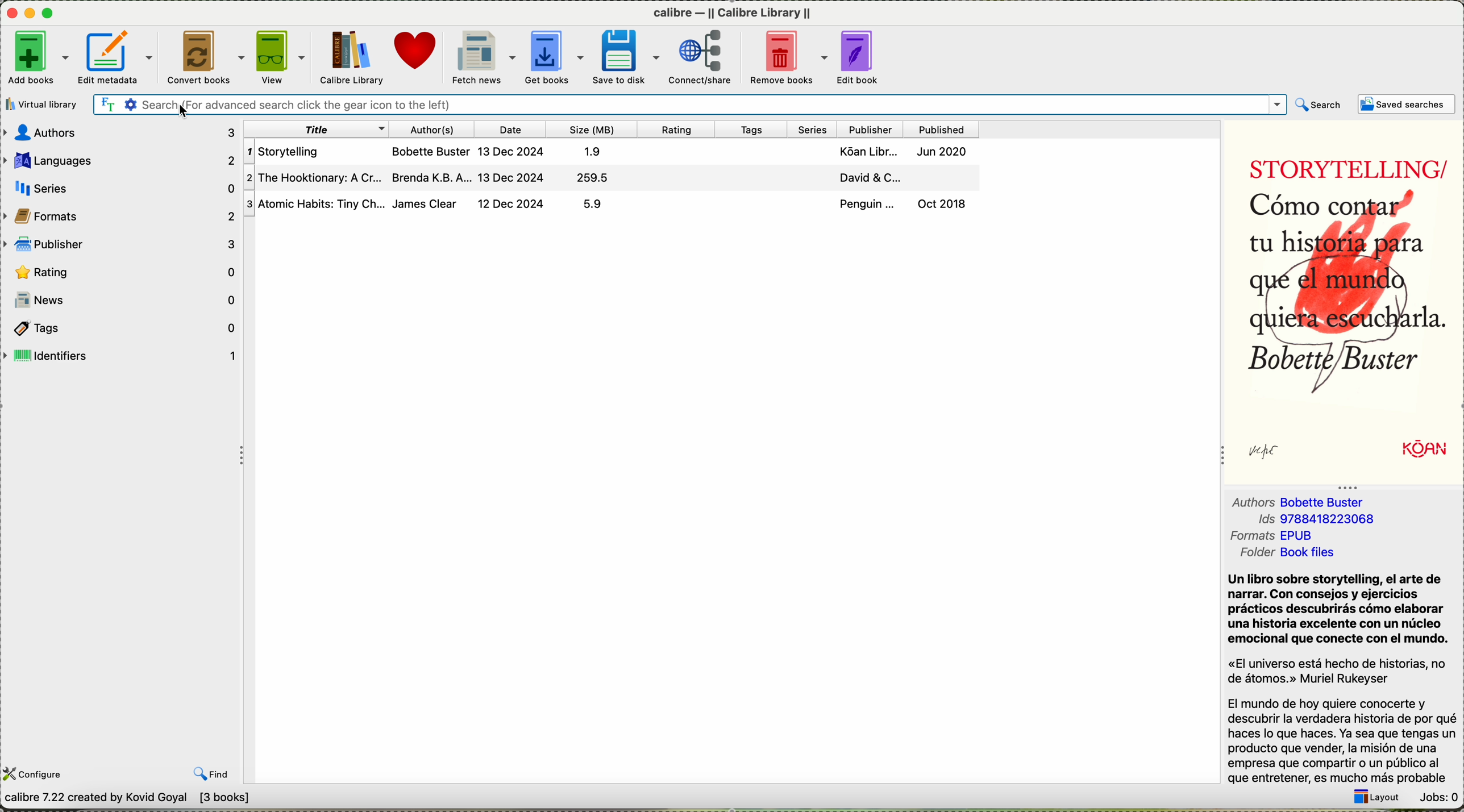  I want to click on Brenda K.B.A, so click(433, 178).